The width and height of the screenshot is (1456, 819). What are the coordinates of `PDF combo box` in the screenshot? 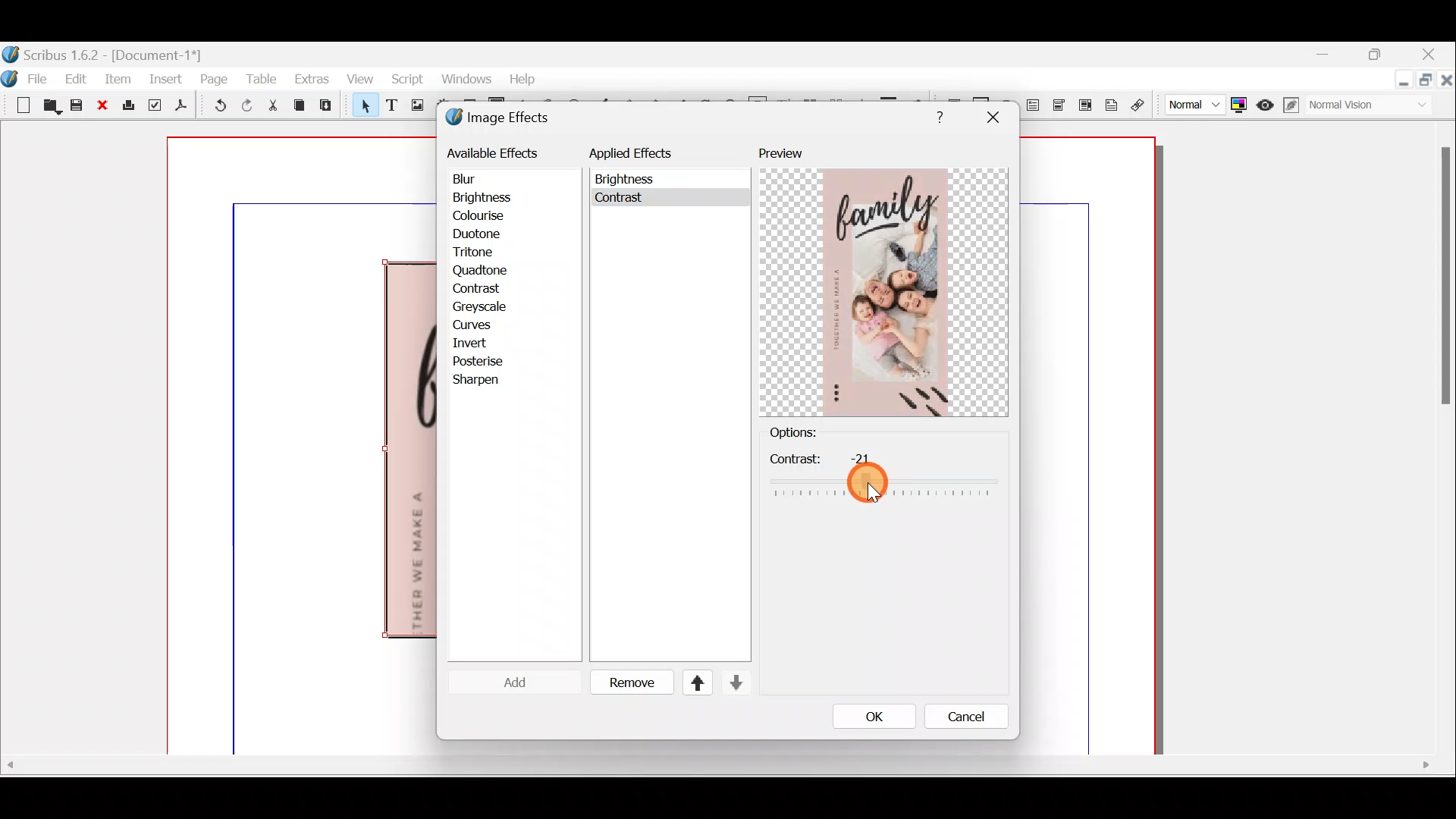 It's located at (1060, 105).